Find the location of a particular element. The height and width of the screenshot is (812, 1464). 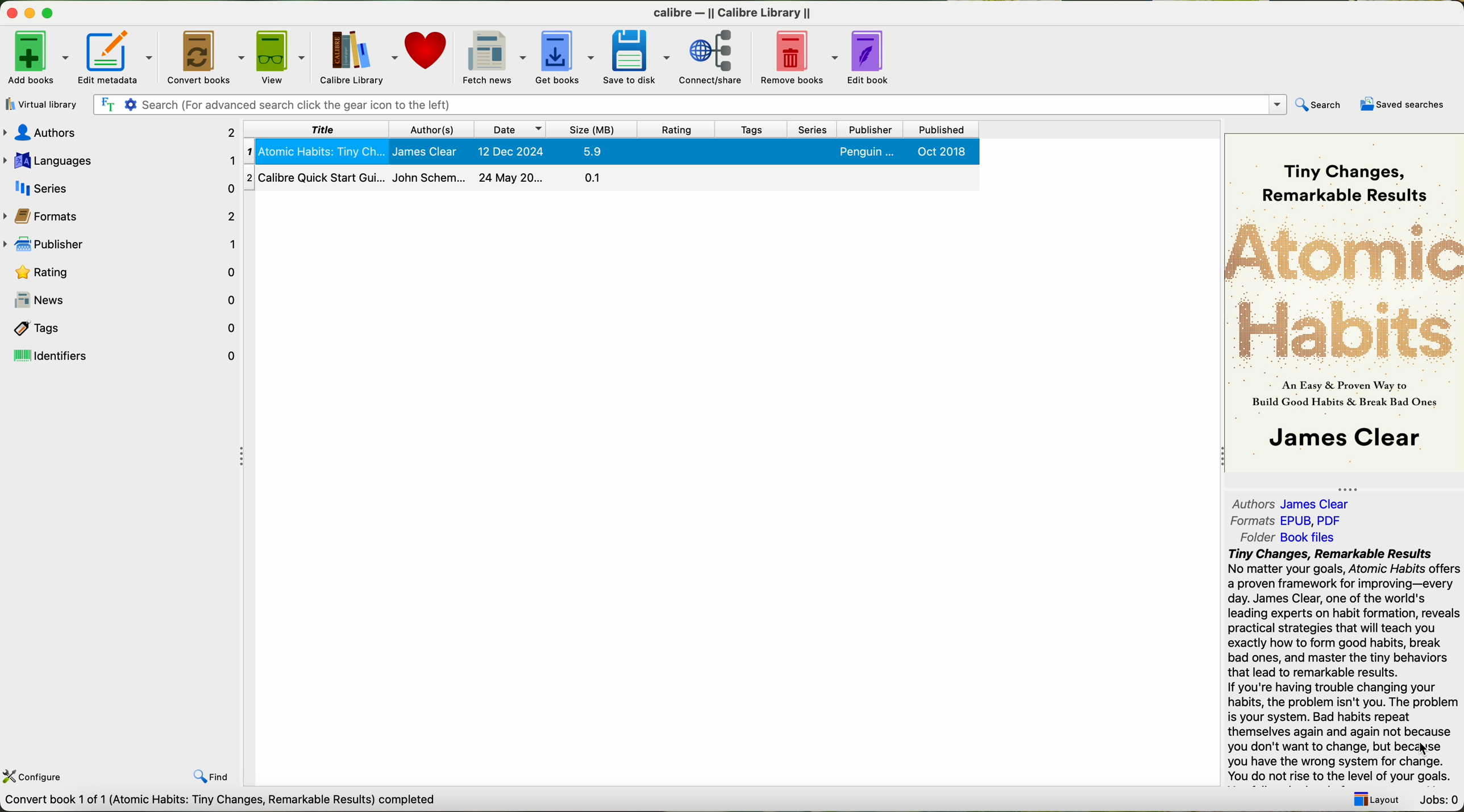

identifiers is located at coordinates (122, 355).